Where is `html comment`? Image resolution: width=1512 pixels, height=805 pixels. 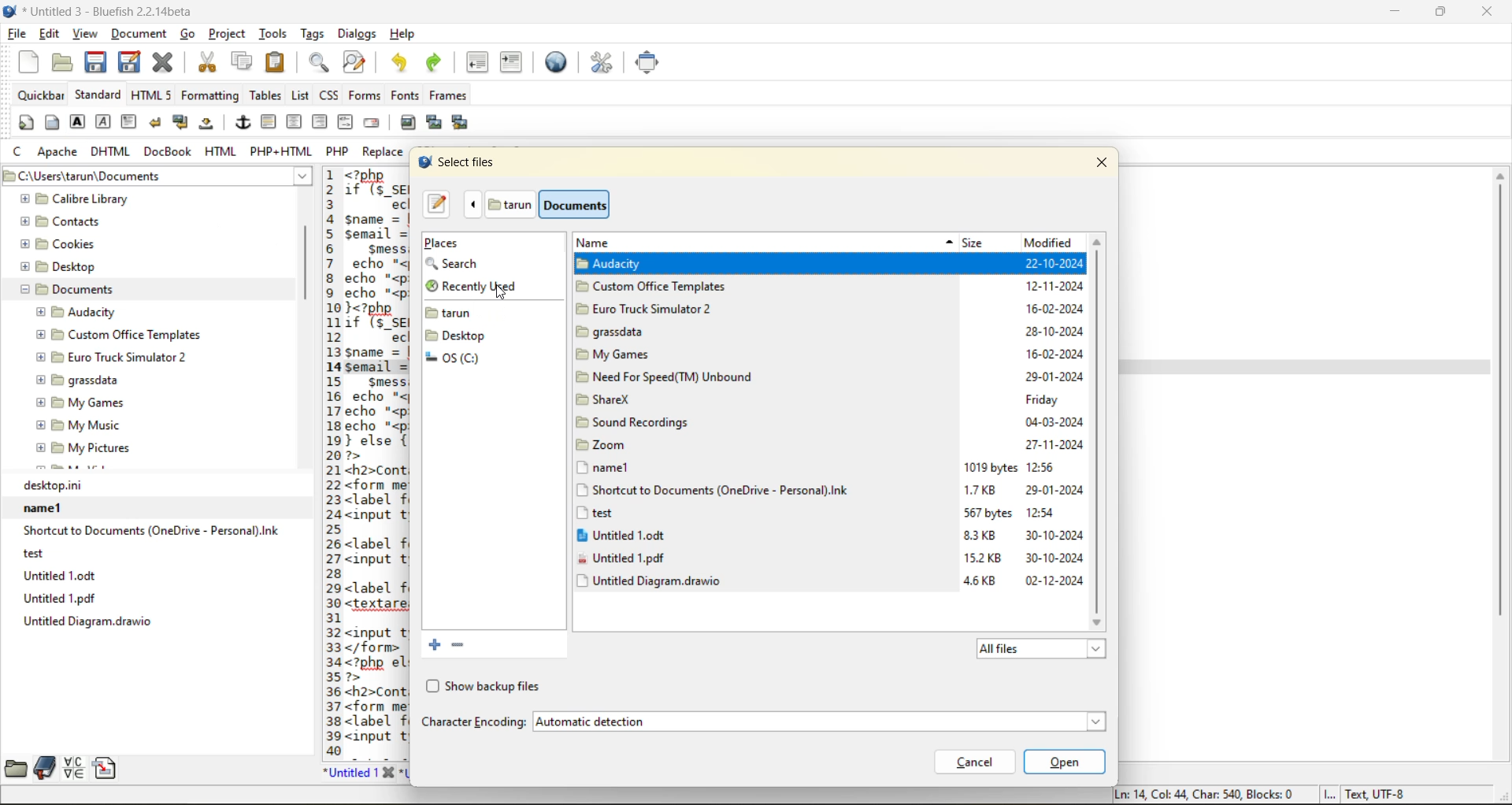
html comment is located at coordinates (345, 122).